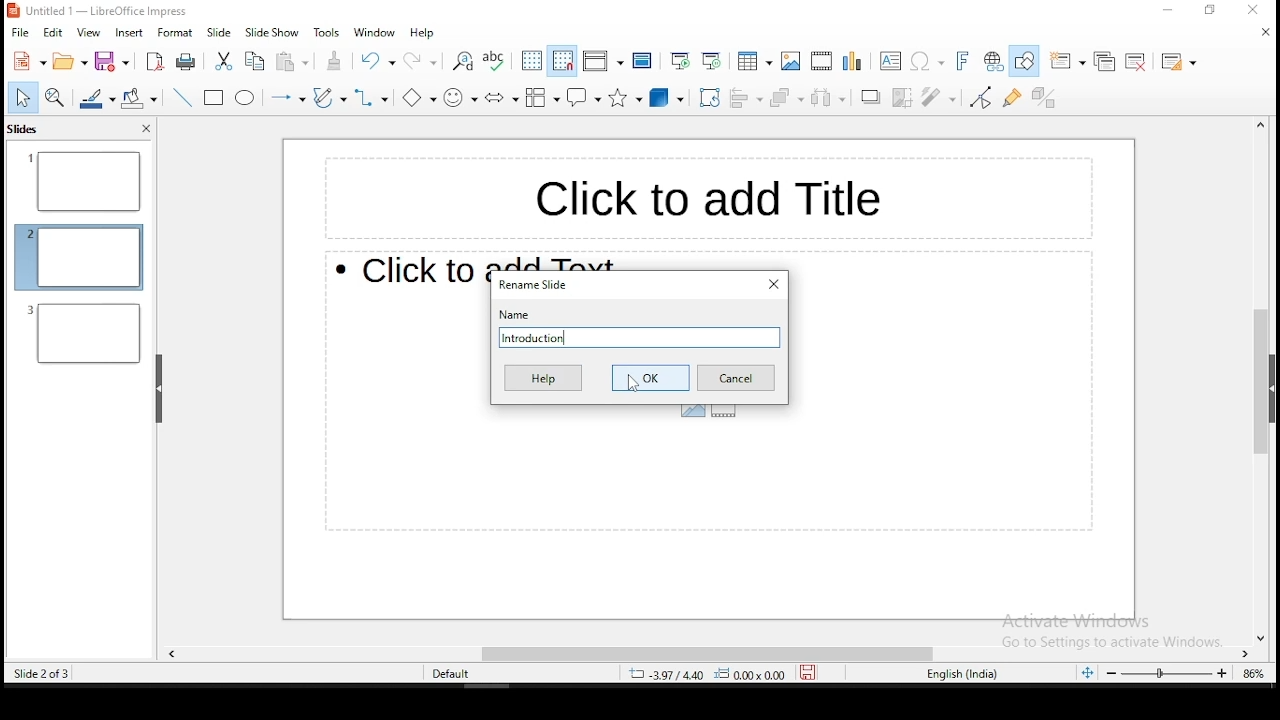  Describe the element at coordinates (369, 98) in the screenshot. I see `connectors` at that location.